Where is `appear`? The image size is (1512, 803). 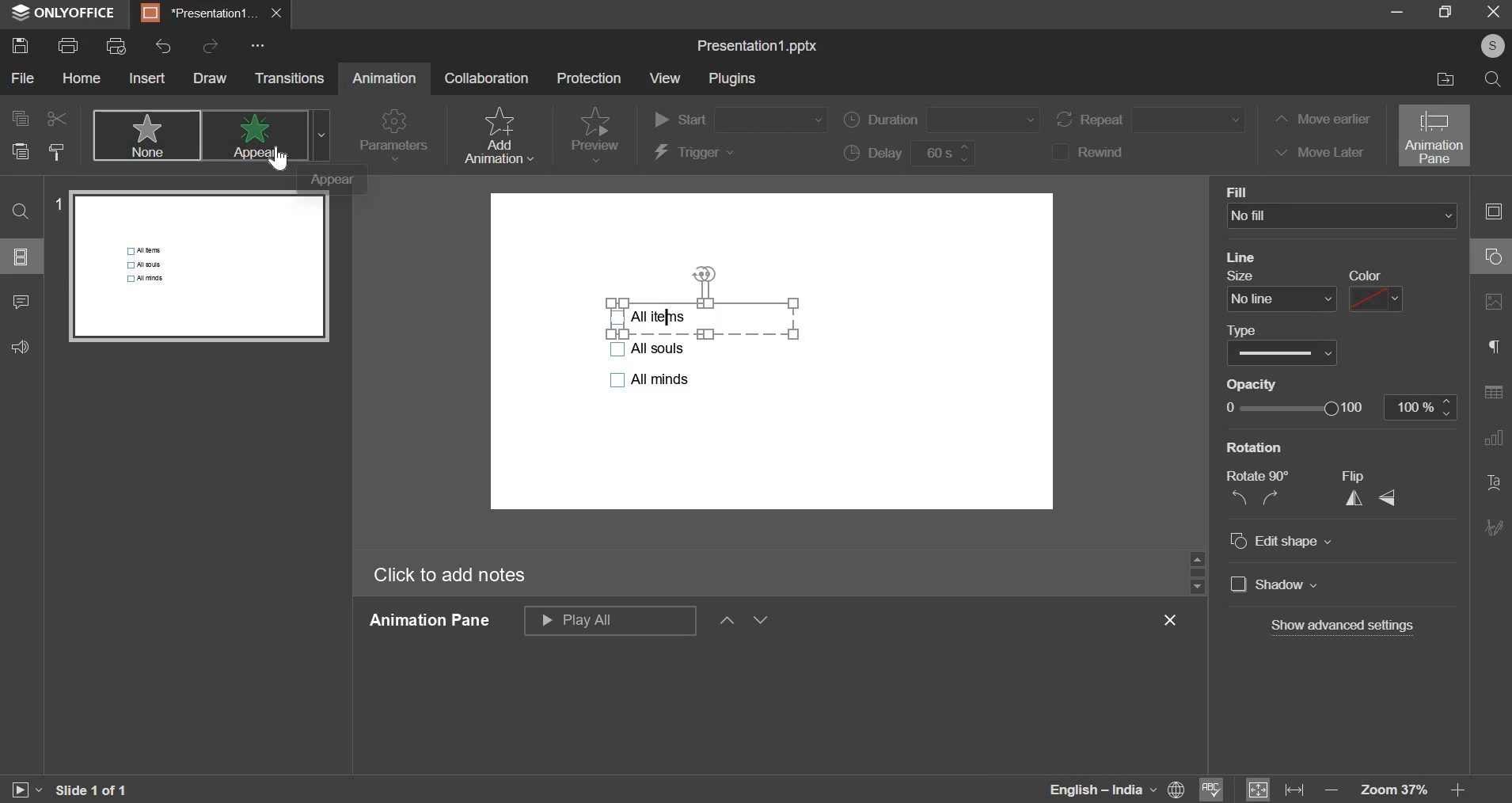 appear is located at coordinates (264, 136).